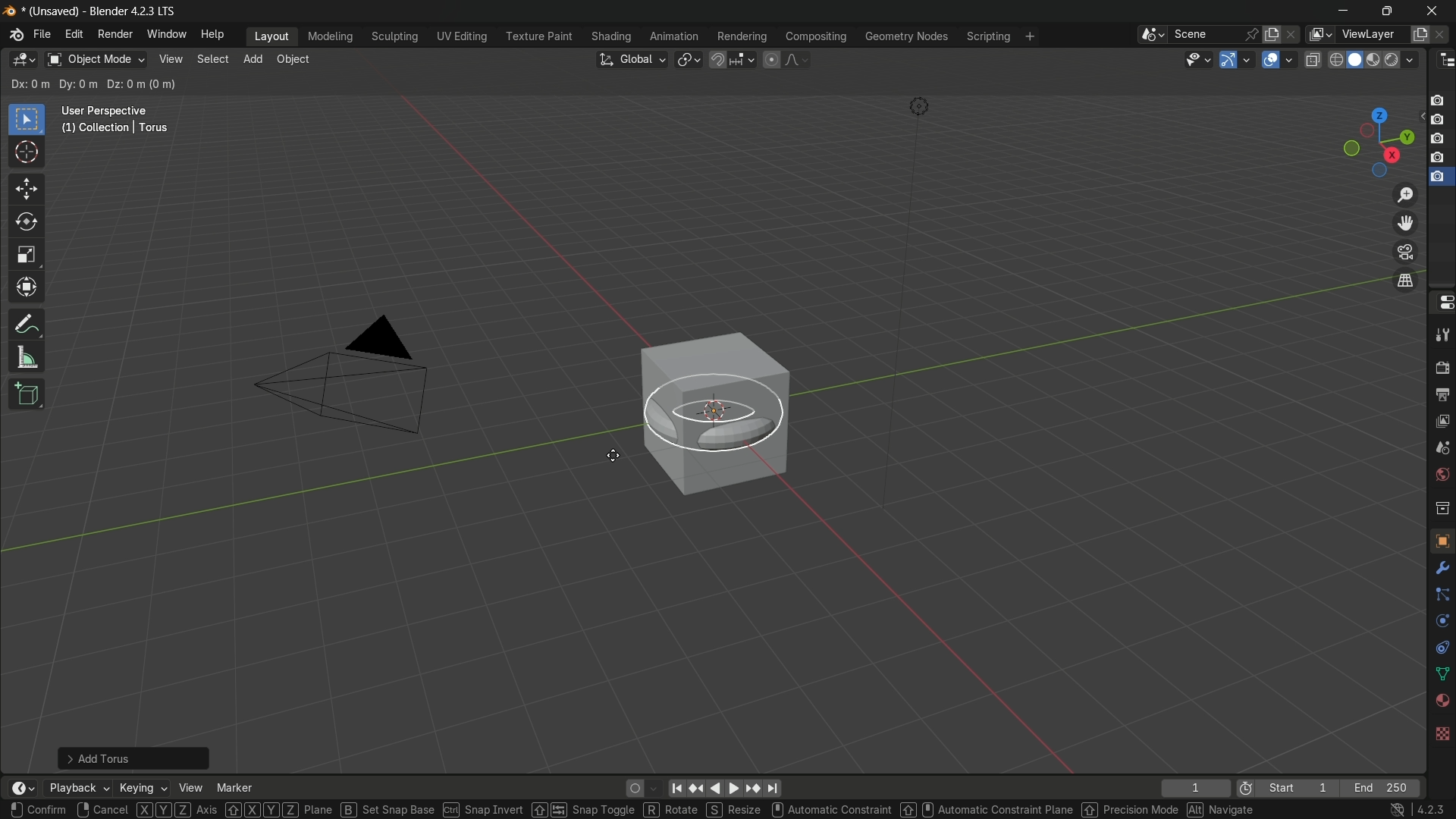 The height and width of the screenshot is (819, 1456). Describe the element at coordinates (1195, 789) in the screenshot. I see `1` at that location.